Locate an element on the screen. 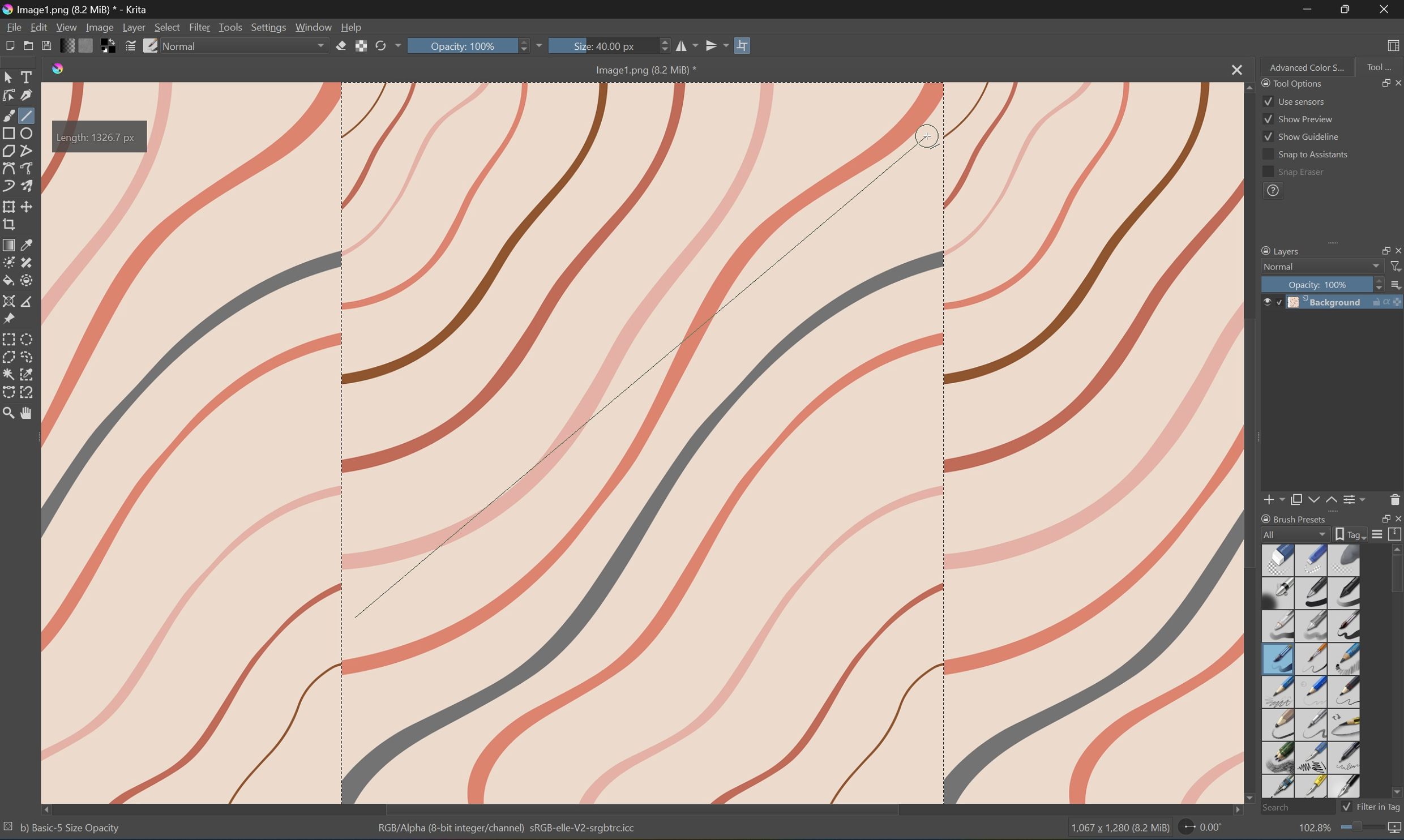 The height and width of the screenshot is (840, 1404). 102.8% is located at coordinates (1313, 829).